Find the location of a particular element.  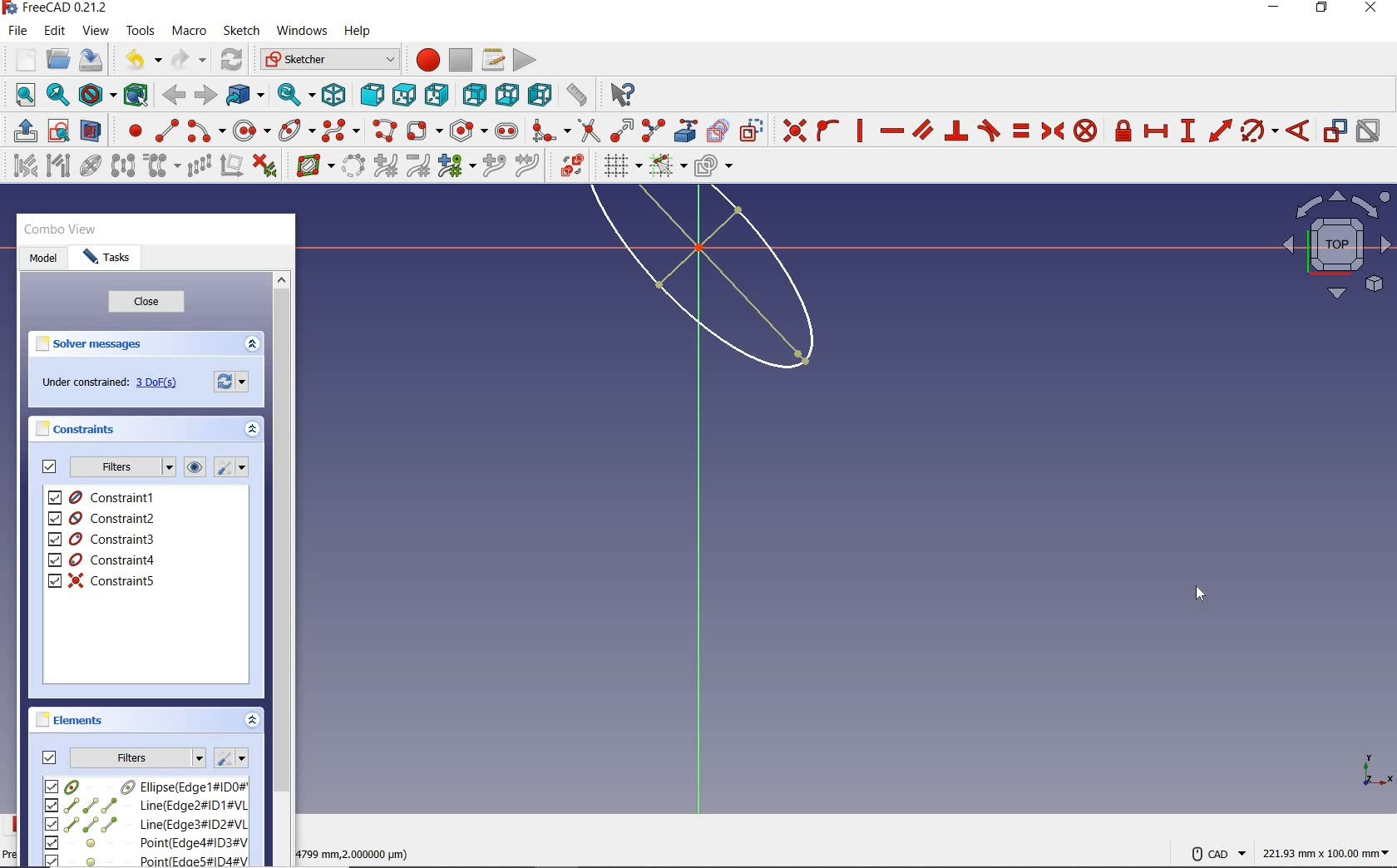

solver messages is located at coordinates (90, 344).